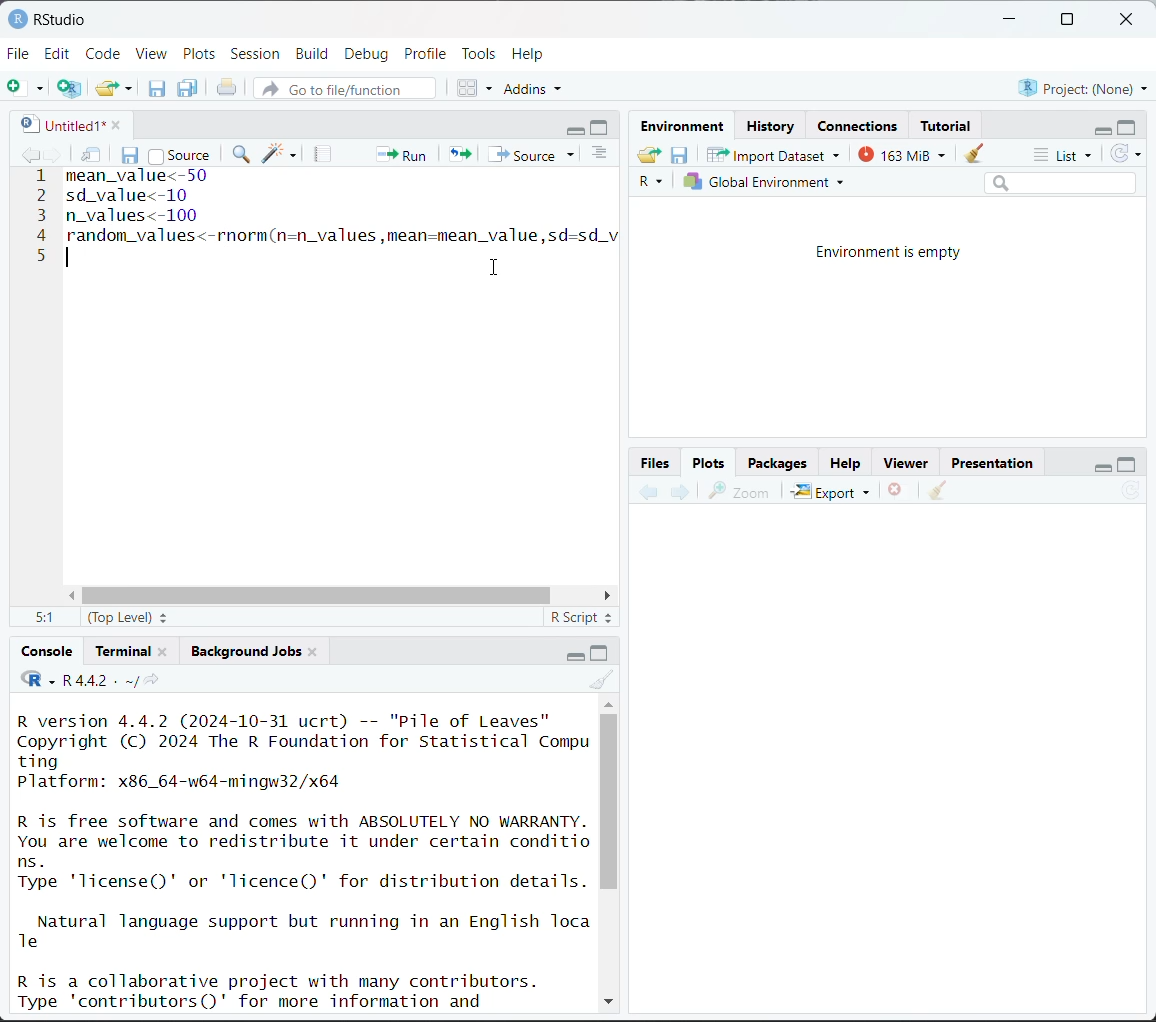 This screenshot has width=1156, height=1022. What do you see at coordinates (399, 153) in the screenshot?
I see `run` at bounding box center [399, 153].